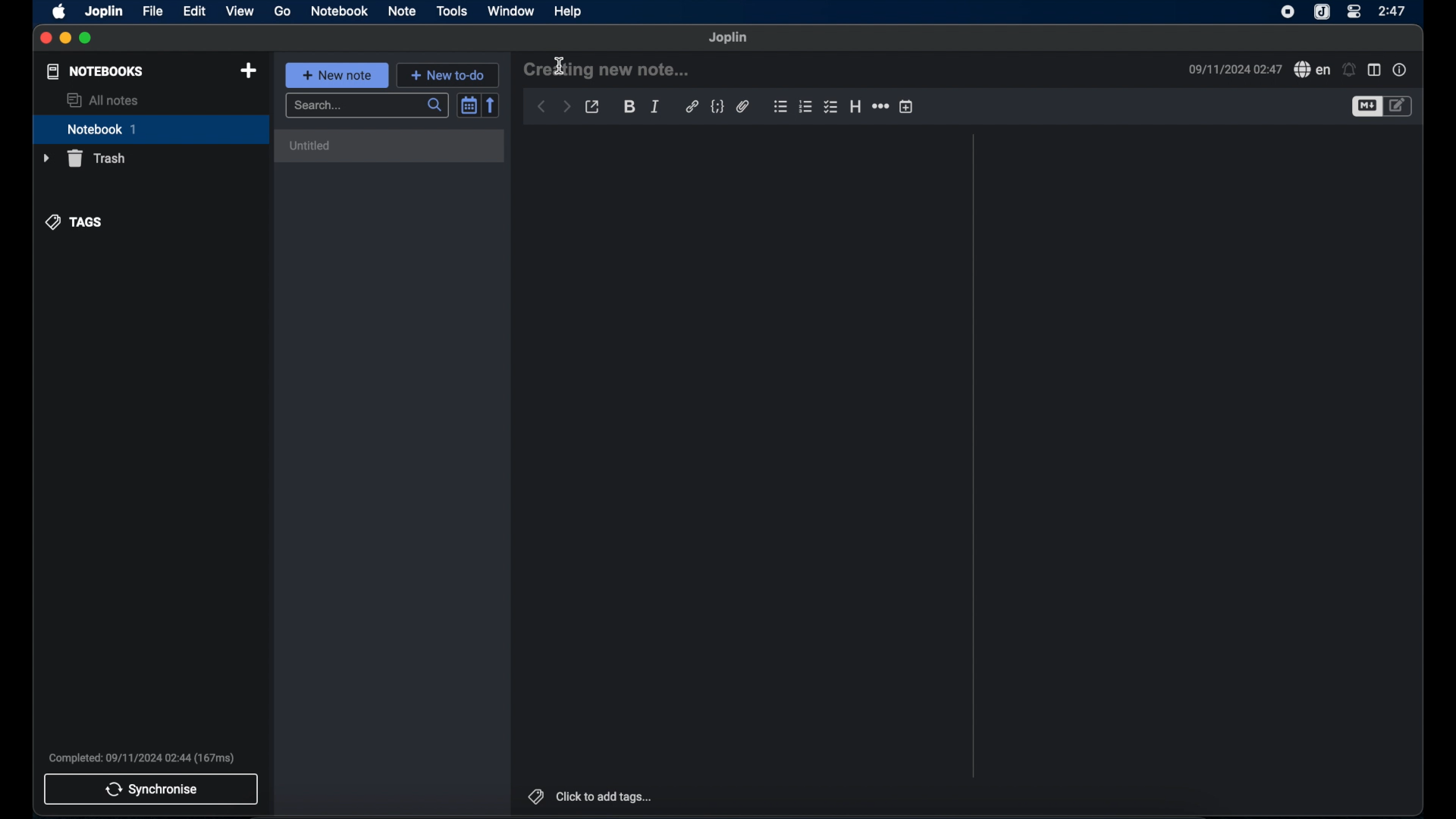  I want to click on new note, so click(337, 75).